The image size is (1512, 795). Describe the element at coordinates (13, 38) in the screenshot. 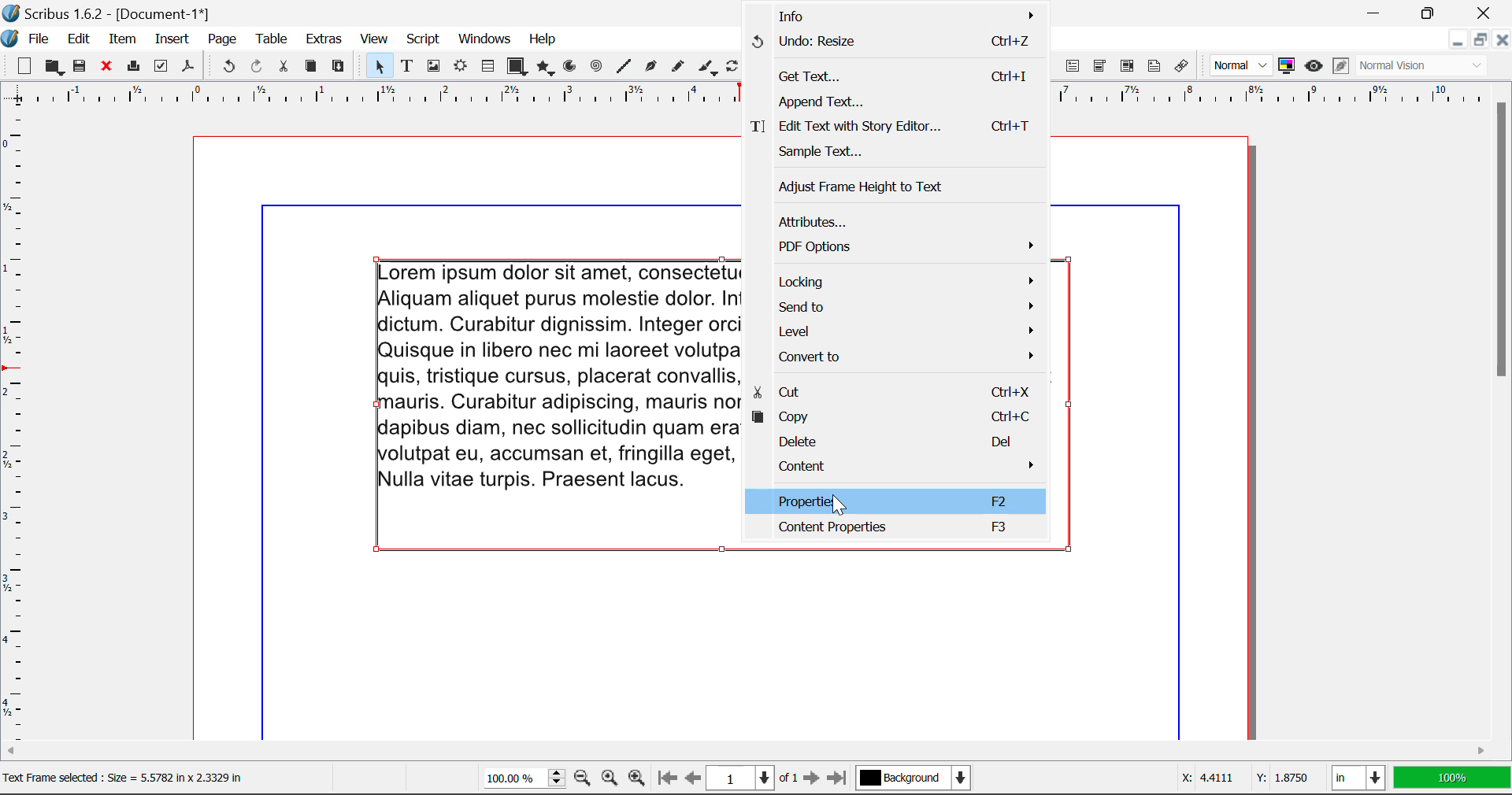

I see `scribus logo` at that location.